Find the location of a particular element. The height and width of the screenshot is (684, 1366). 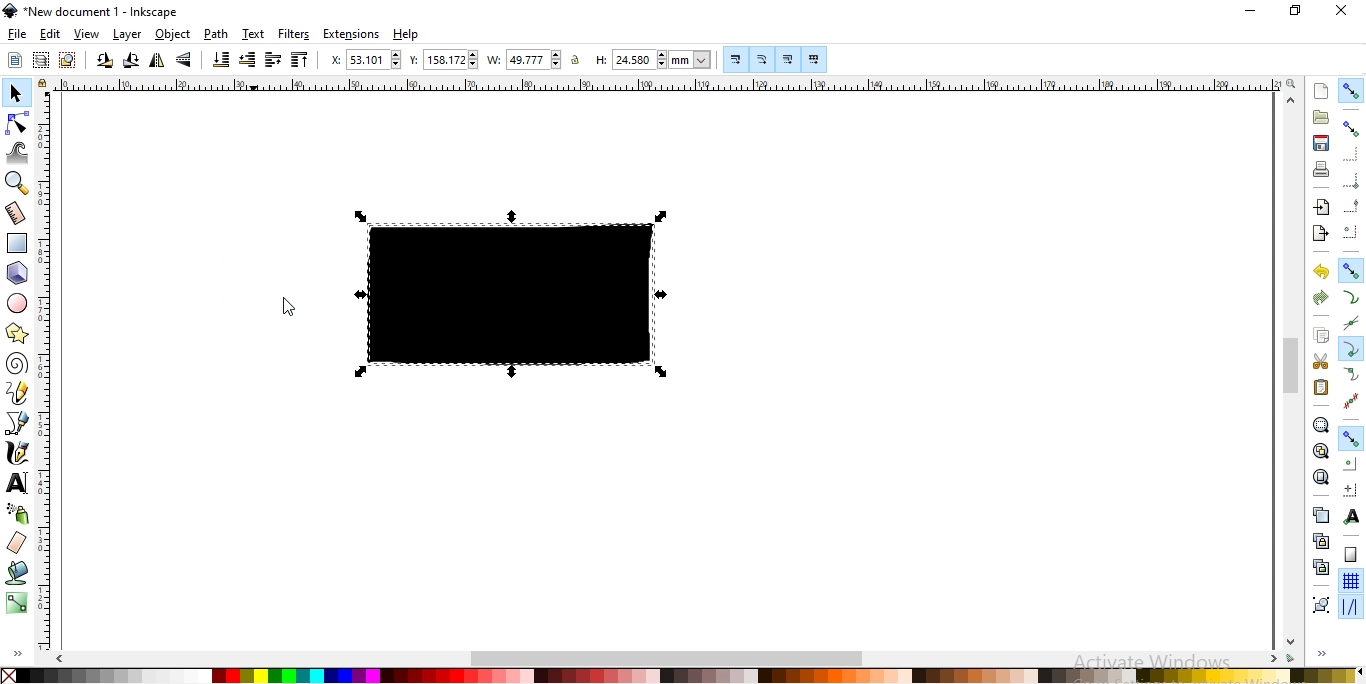

help is located at coordinates (406, 35).